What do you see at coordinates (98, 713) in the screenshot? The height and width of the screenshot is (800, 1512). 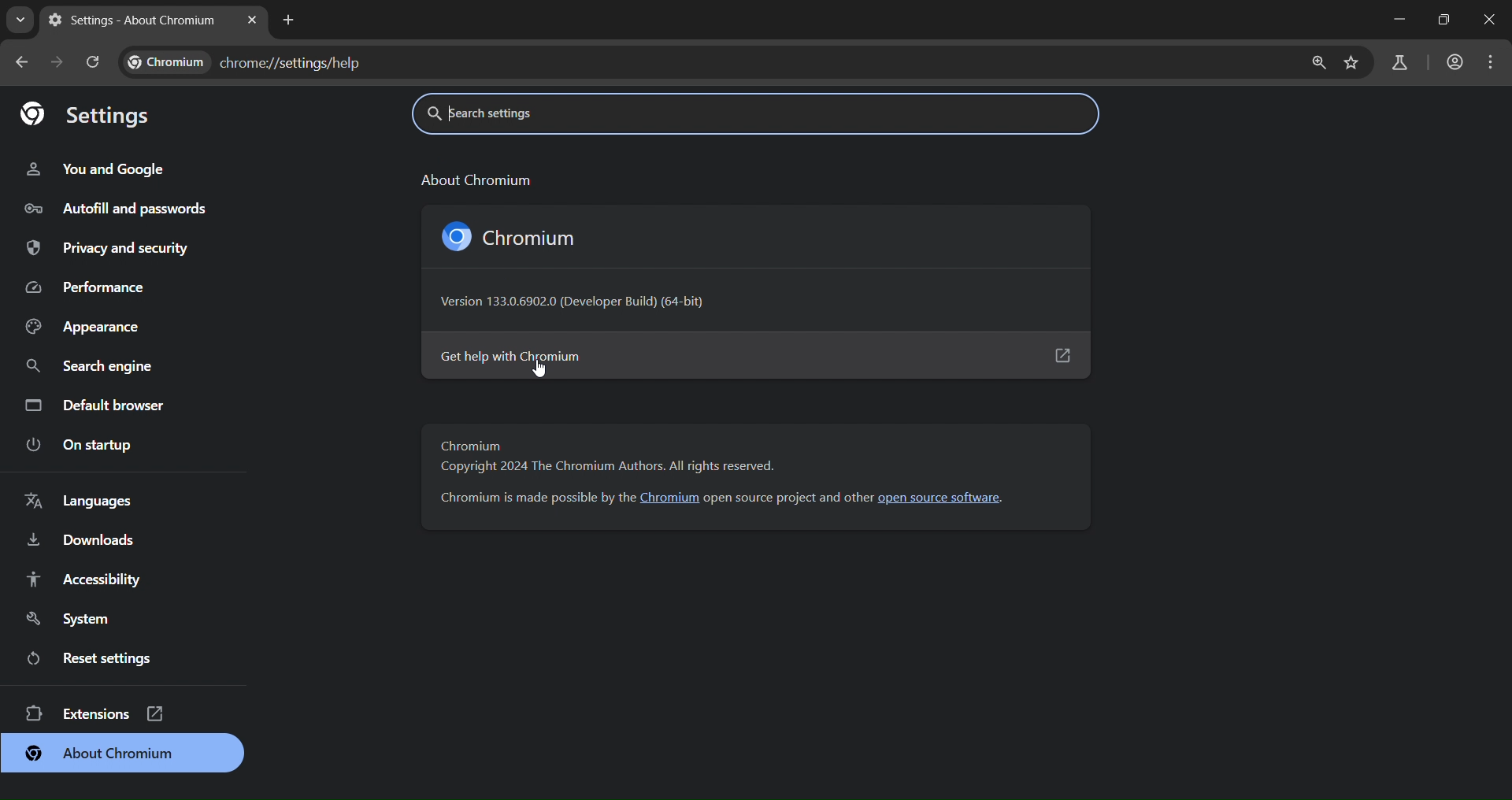 I see `extensions` at bounding box center [98, 713].